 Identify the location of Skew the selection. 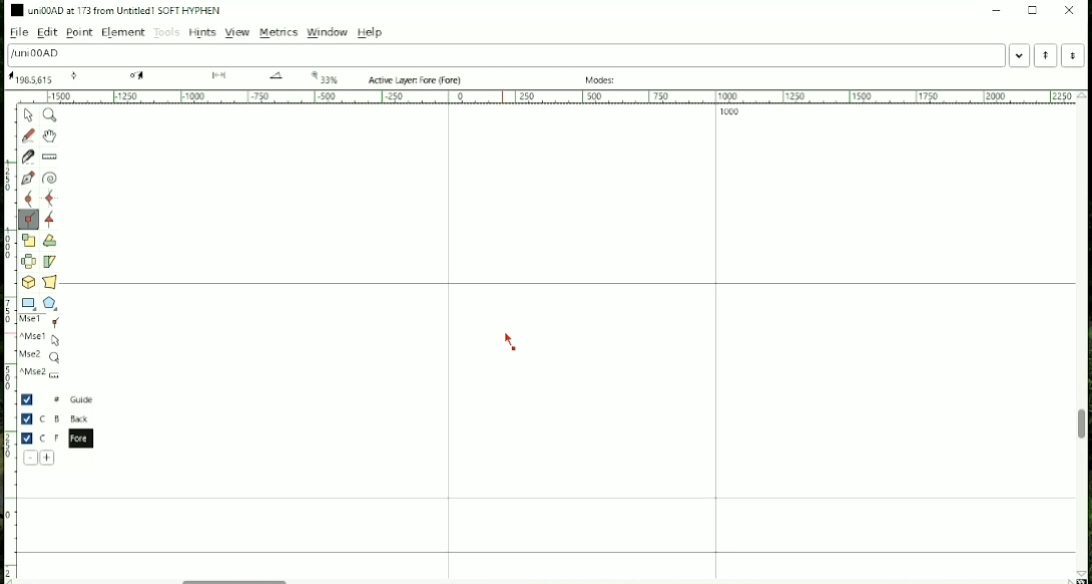
(49, 262).